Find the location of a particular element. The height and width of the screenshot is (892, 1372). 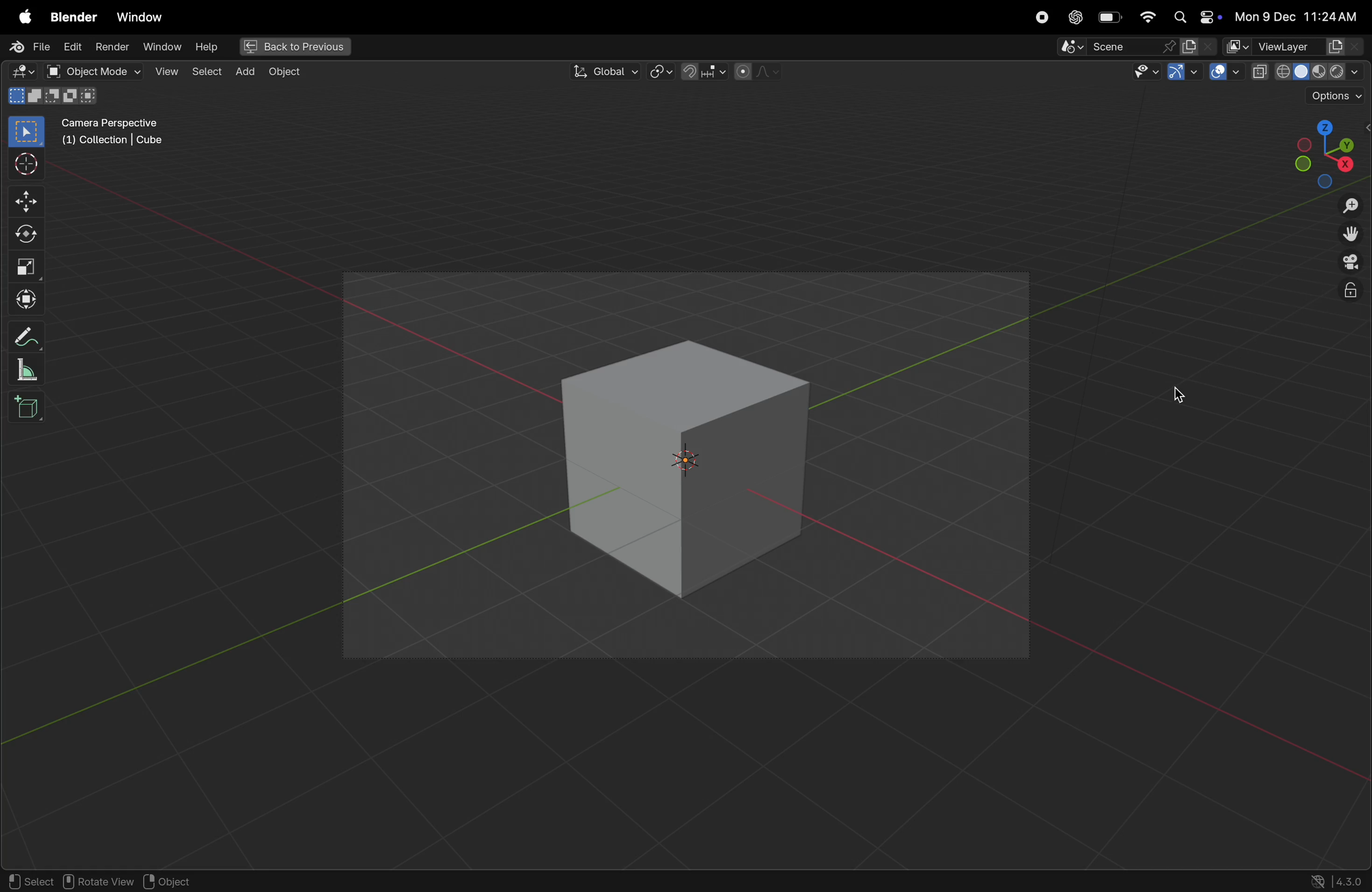

scale is located at coordinates (29, 266).